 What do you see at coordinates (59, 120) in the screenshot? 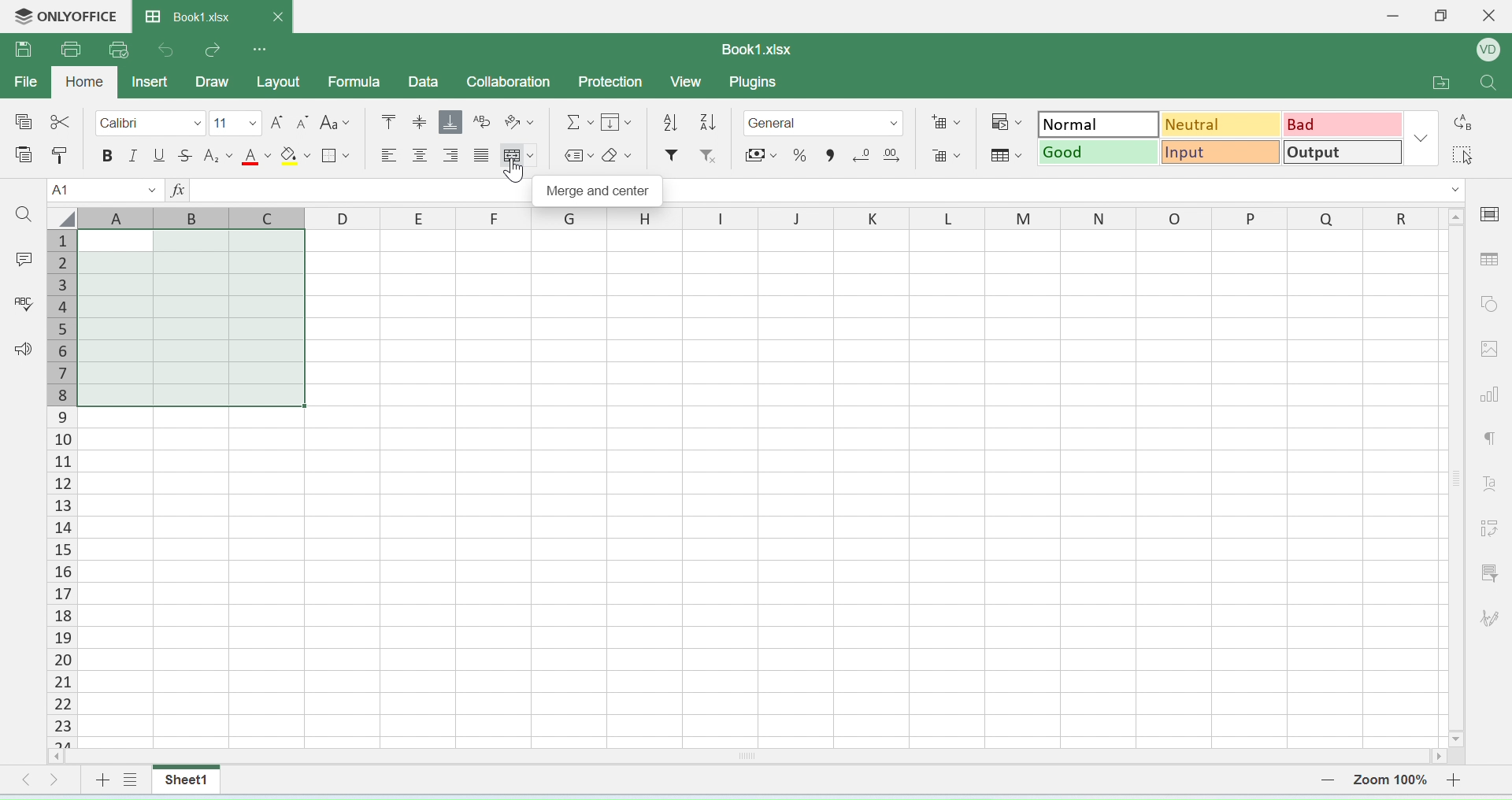
I see `cut` at bounding box center [59, 120].